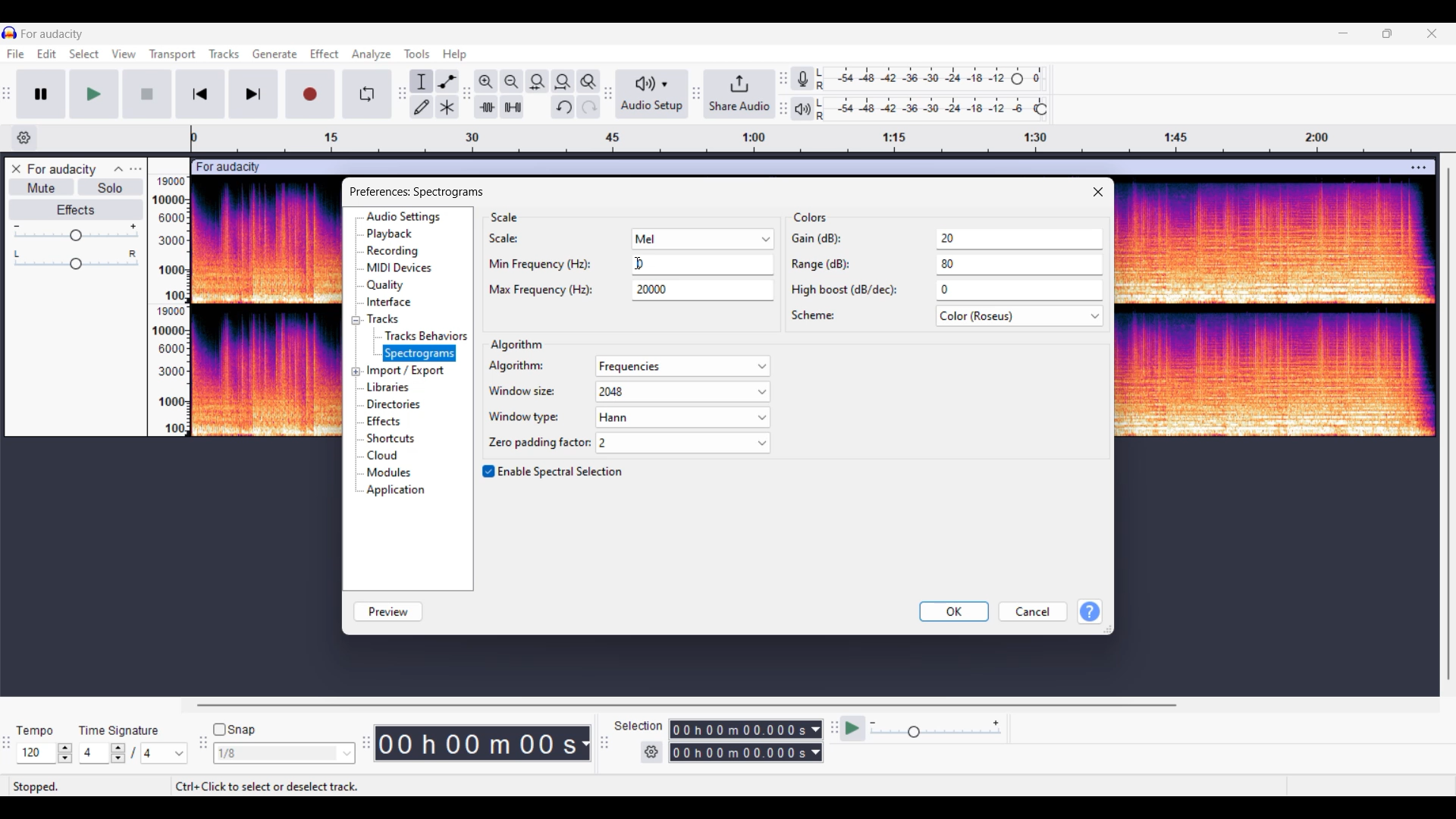 This screenshot has width=1456, height=819. What do you see at coordinates (692, 705) in the screenshot?
I see `Horizontal slide bar` at bounding box center [692, 705].